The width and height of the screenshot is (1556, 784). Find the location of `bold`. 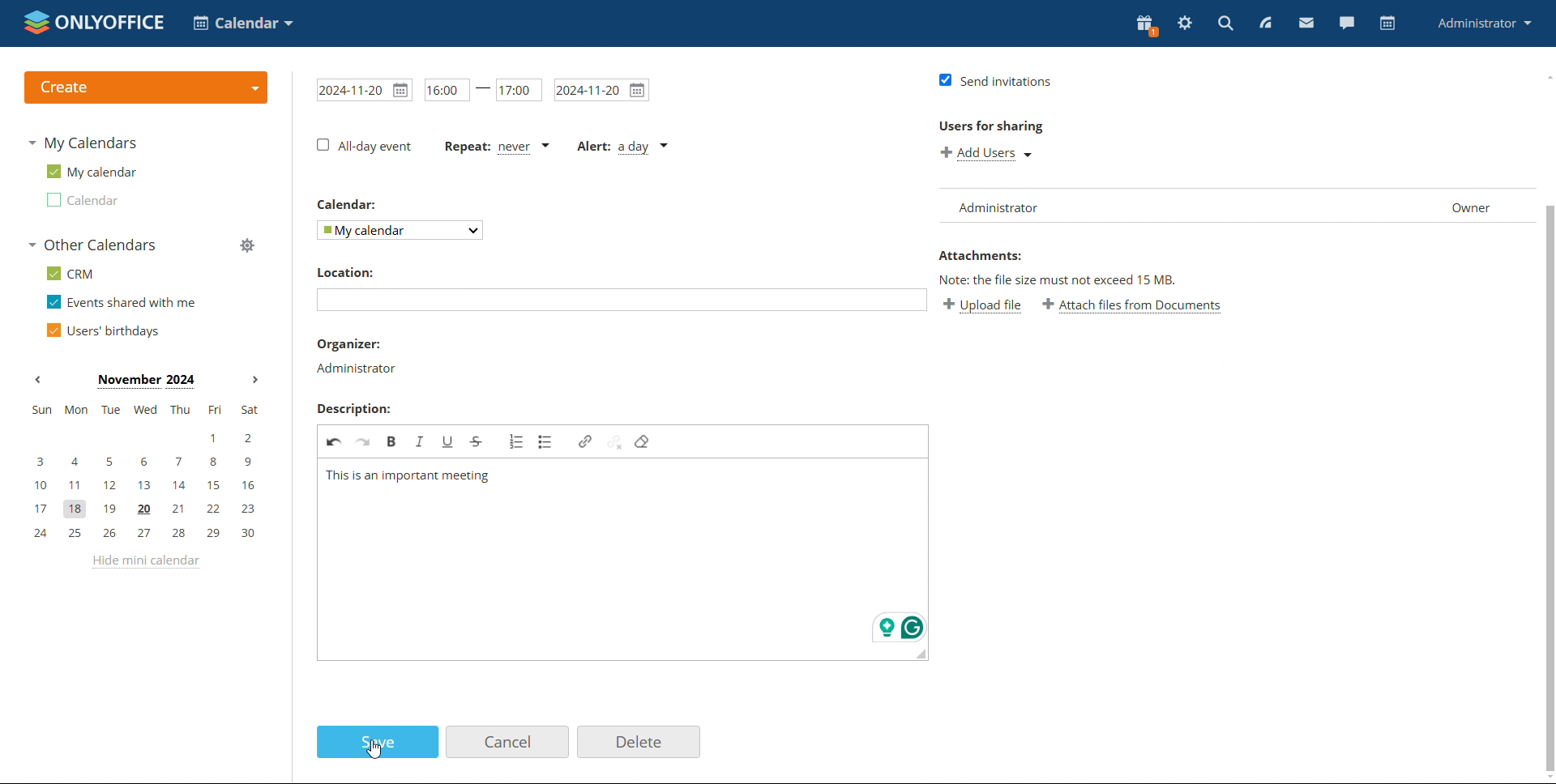

bold is located at coordinates (393, 441).